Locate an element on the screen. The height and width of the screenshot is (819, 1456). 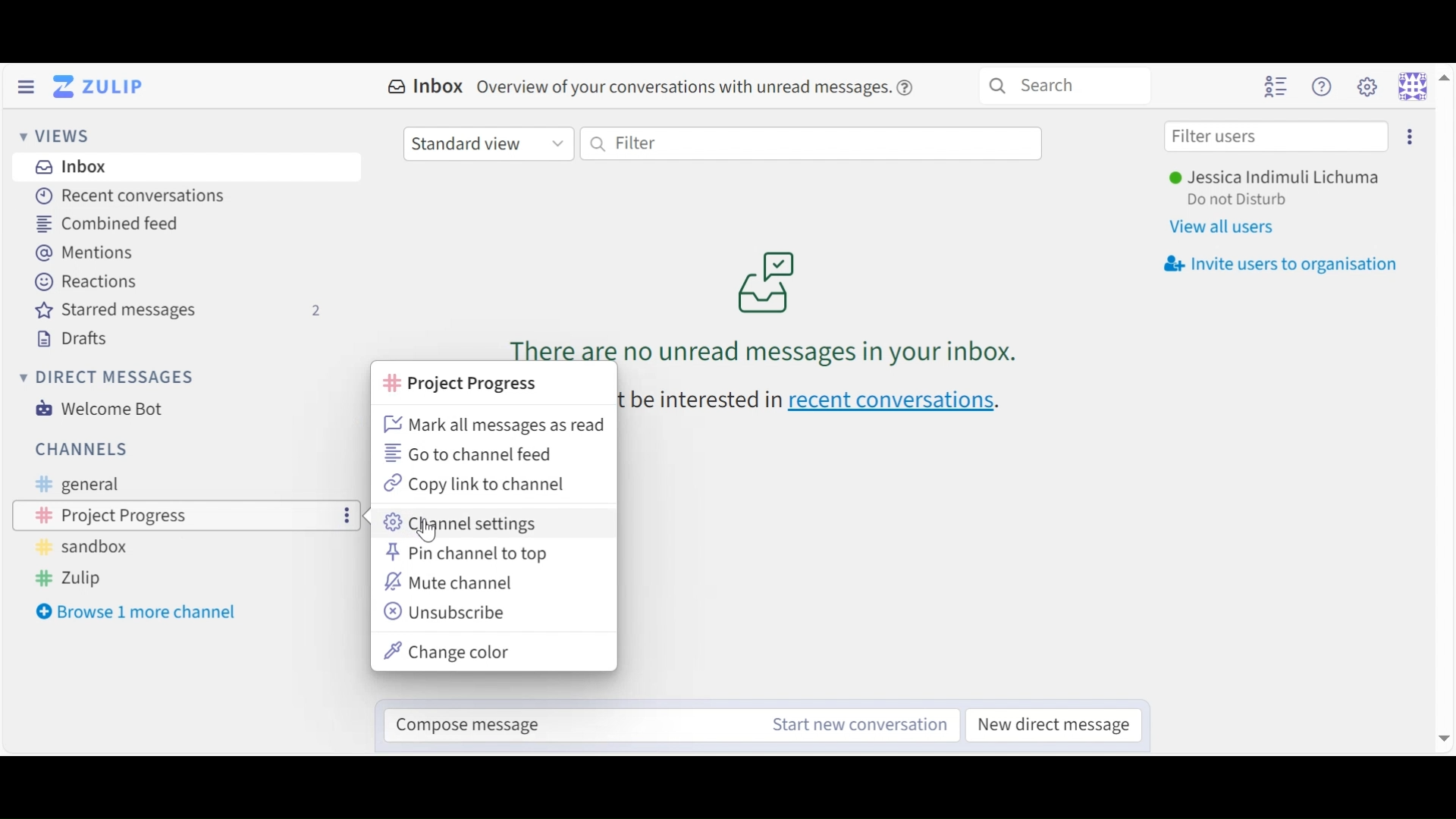
Start new conversation is located at coordinates (863, 723).